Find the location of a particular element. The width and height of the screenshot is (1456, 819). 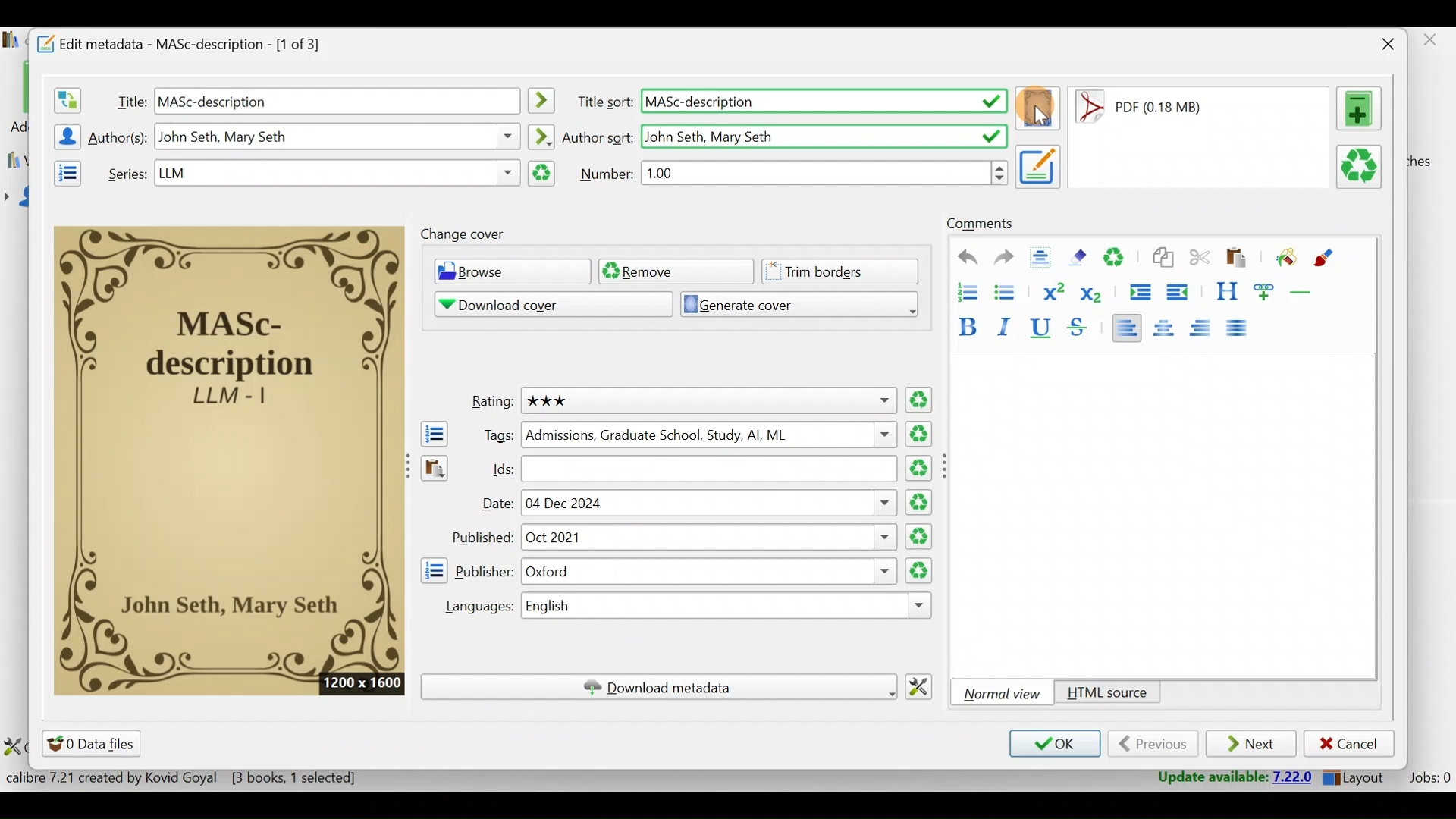

Change how Calibre downloads data is located at coordinates (924, 685).